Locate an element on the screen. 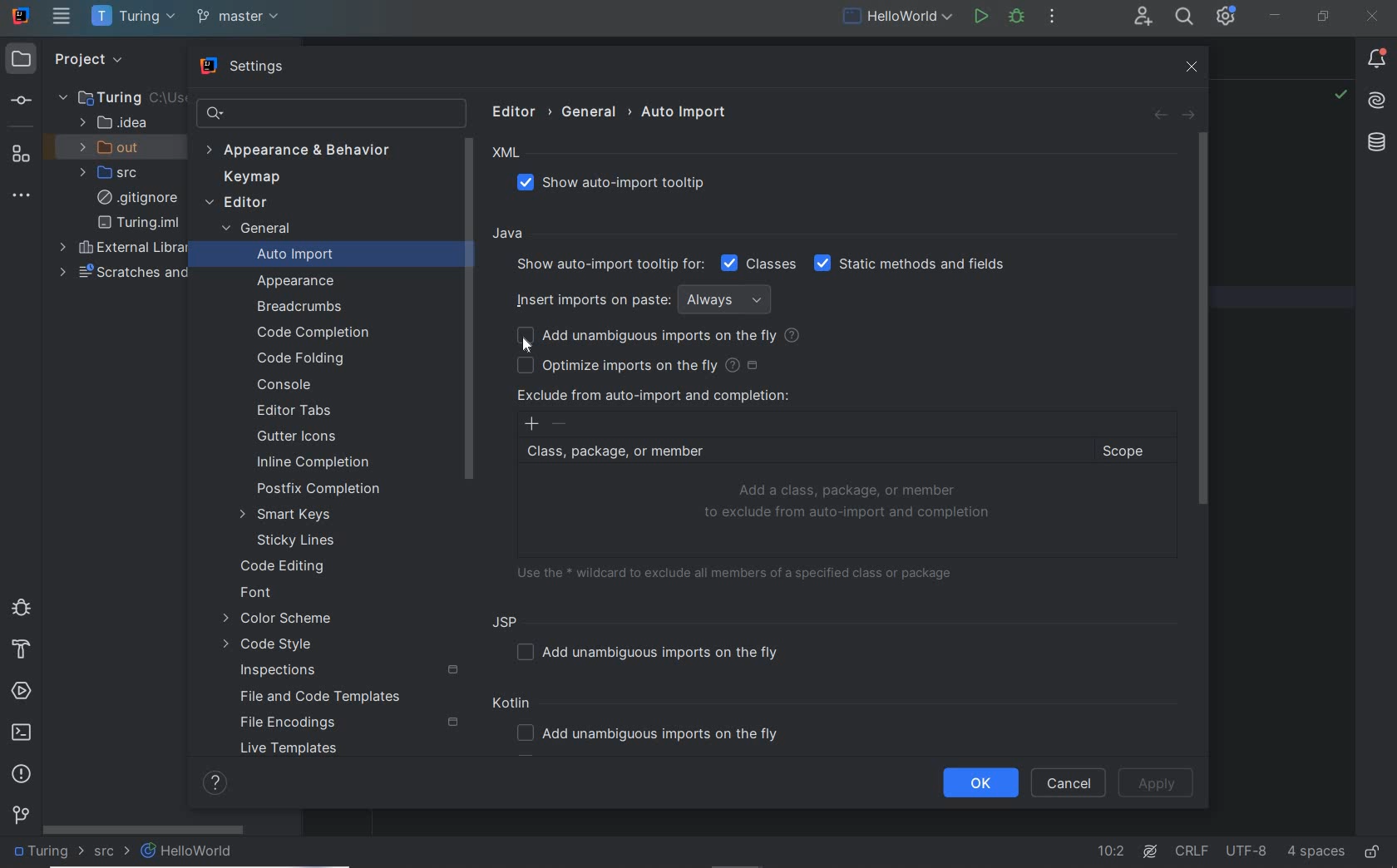  main menu is located at coordinates (62, 16).